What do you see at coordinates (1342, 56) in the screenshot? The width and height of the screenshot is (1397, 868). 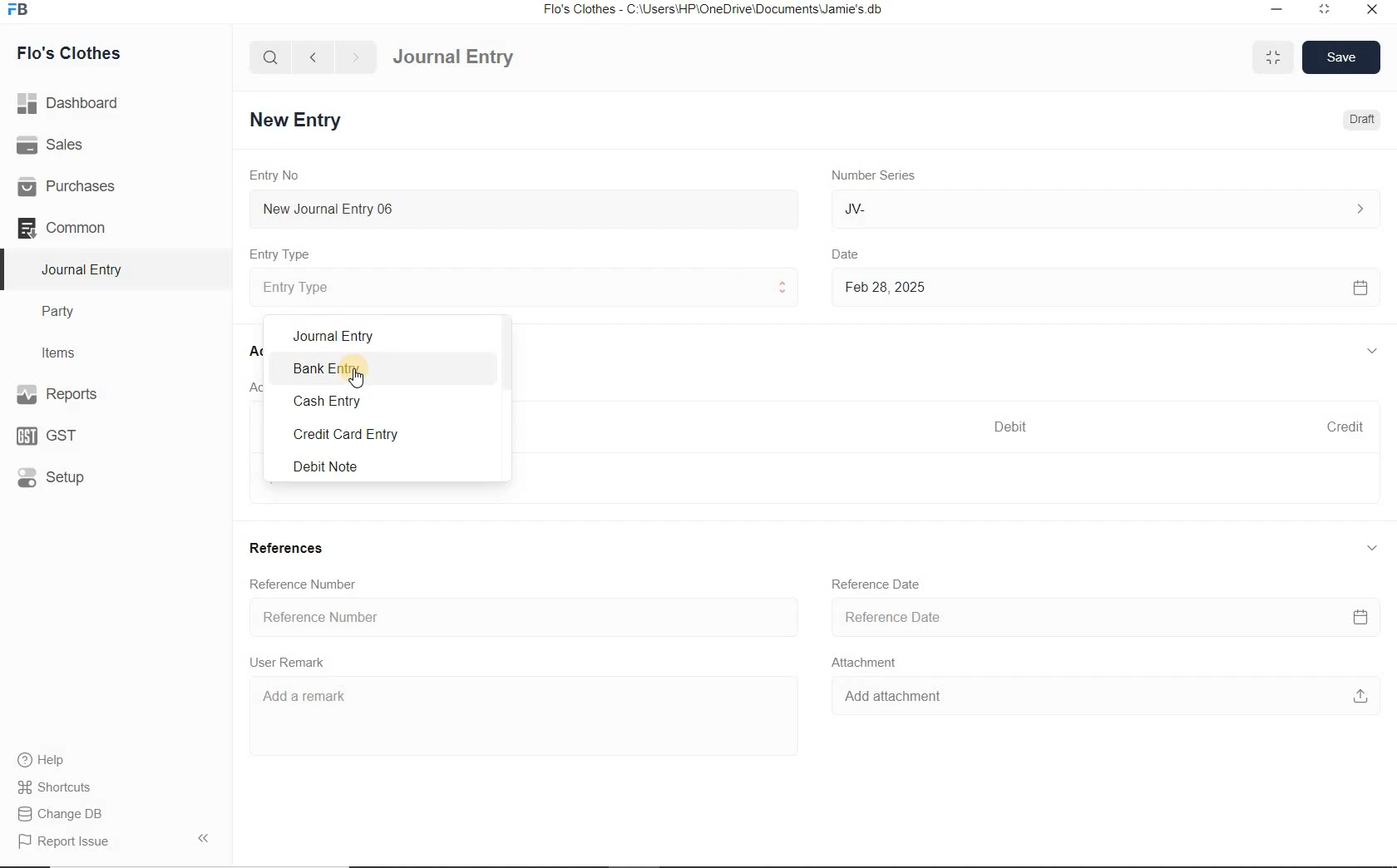 I see `Save` at bounding box center [1342, 56].